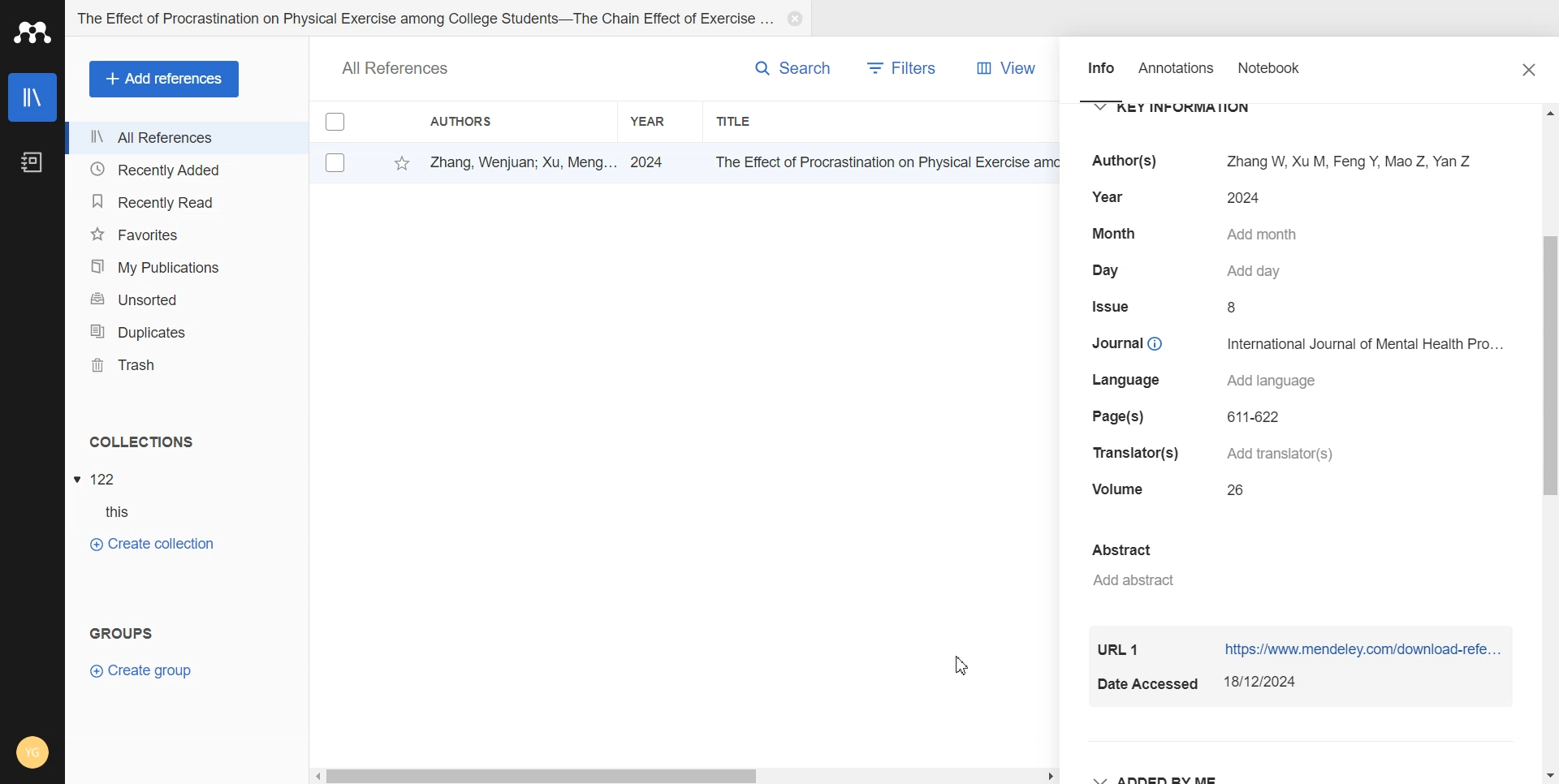 The height and width of the screenshot is (784, 1559). Describe the element at coordinates (1198, 234) in the screenshot. I see `Month Add month` at that location.